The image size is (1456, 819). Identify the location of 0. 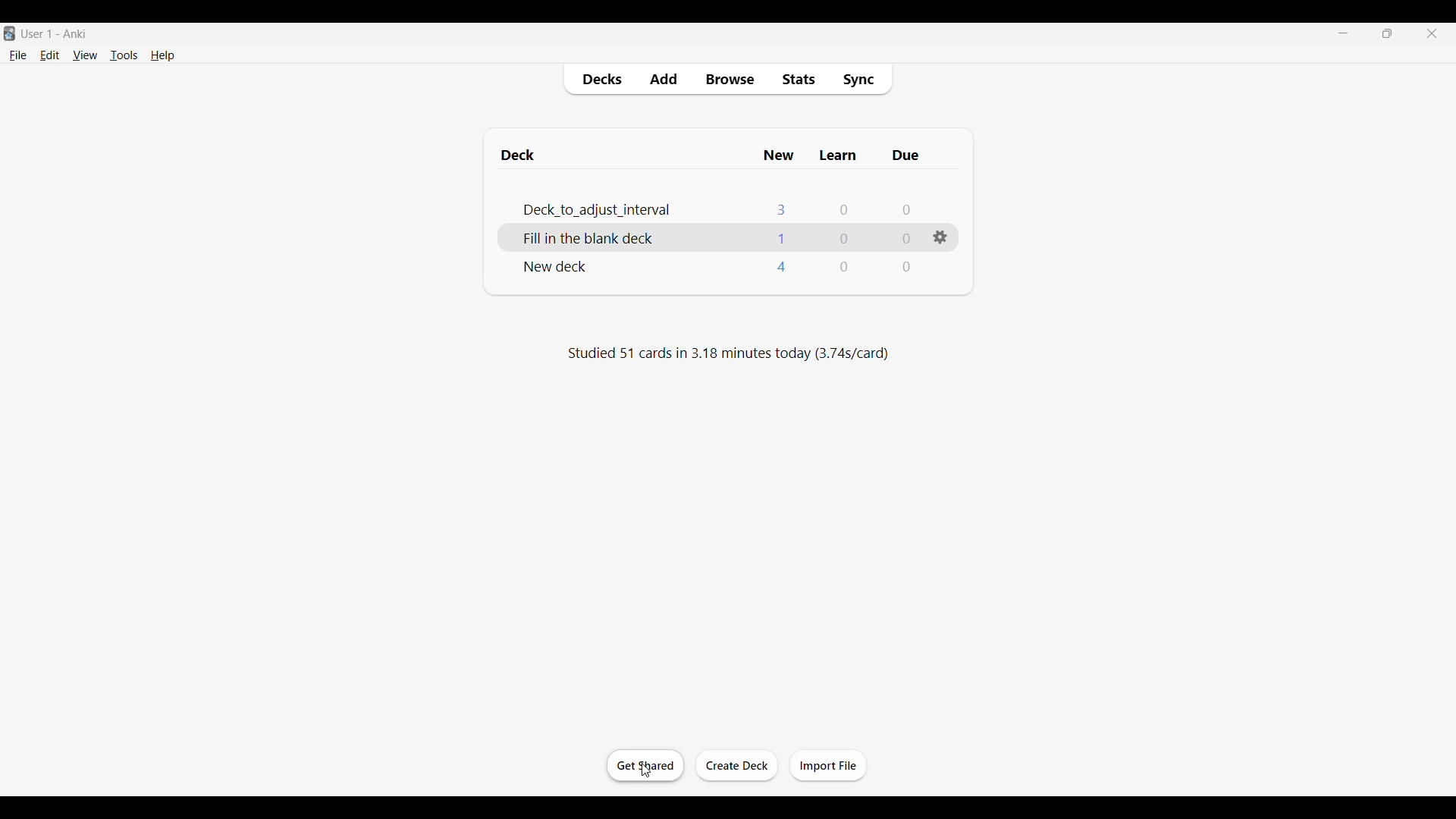
(843, 212).